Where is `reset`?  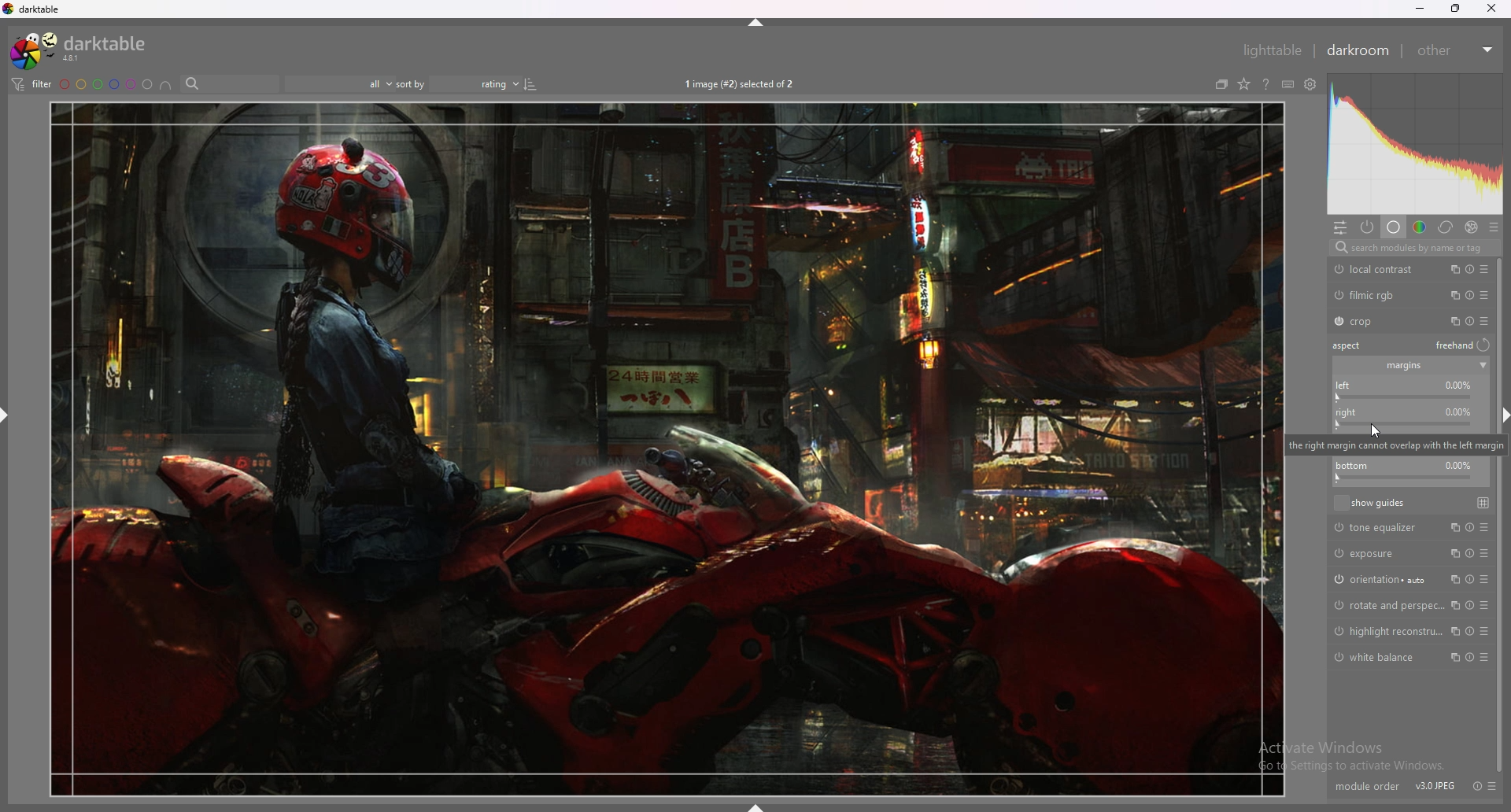
reset is located at coordinates (1466, 528).